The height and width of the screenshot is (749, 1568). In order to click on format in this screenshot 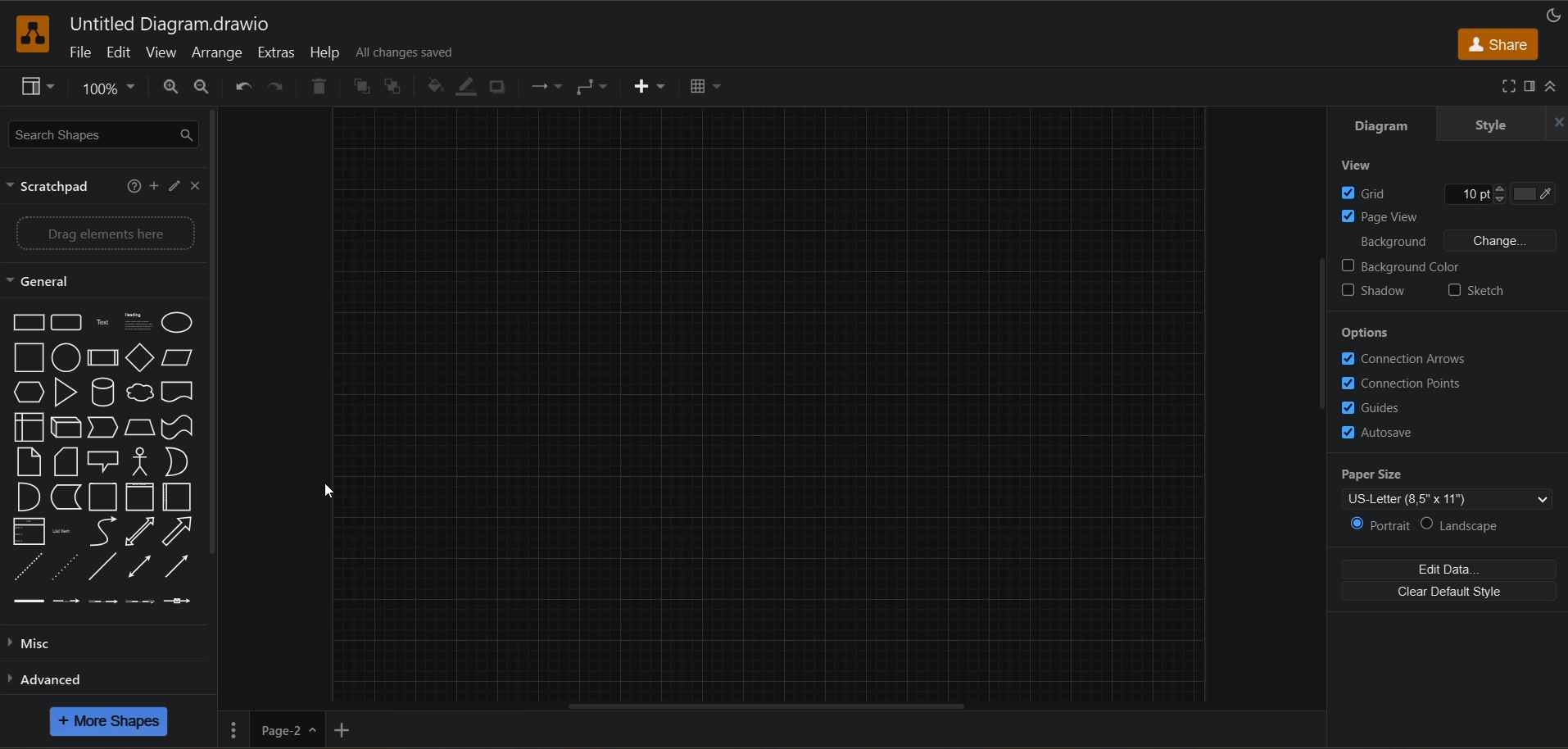, I will do `click(1532, 87)`.